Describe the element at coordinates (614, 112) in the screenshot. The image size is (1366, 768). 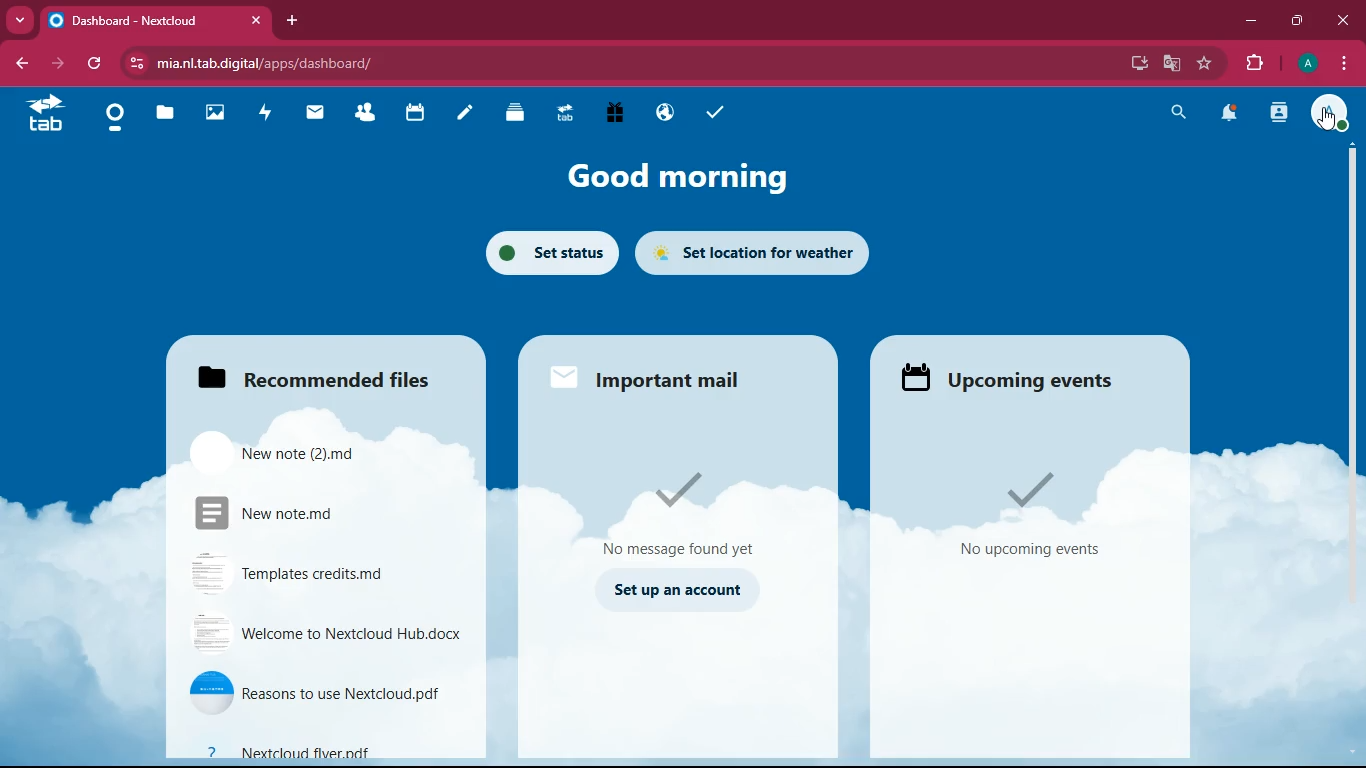
I see `gift` at that location.